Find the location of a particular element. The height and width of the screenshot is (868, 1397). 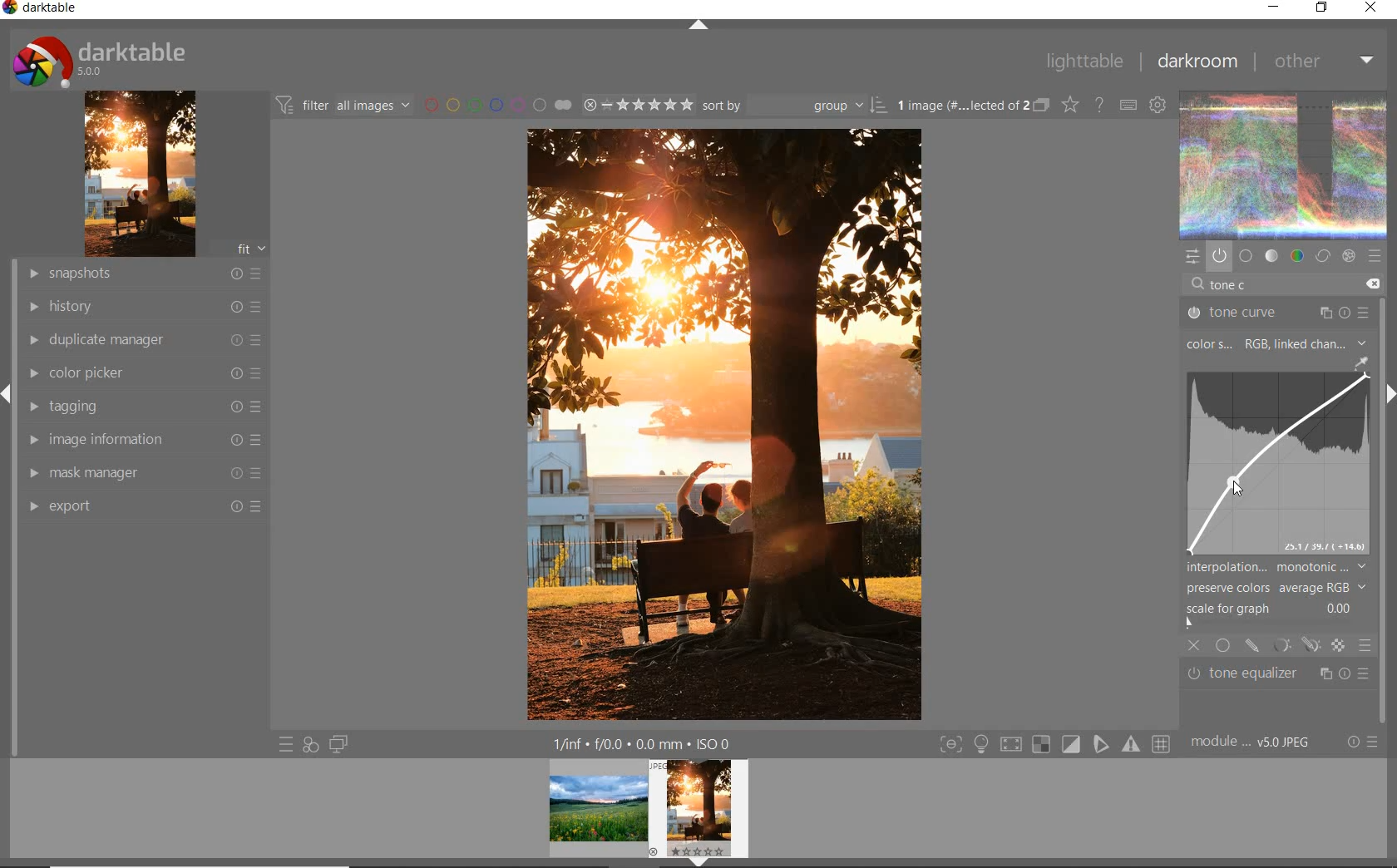

color is located at coordinates (1298, 254).